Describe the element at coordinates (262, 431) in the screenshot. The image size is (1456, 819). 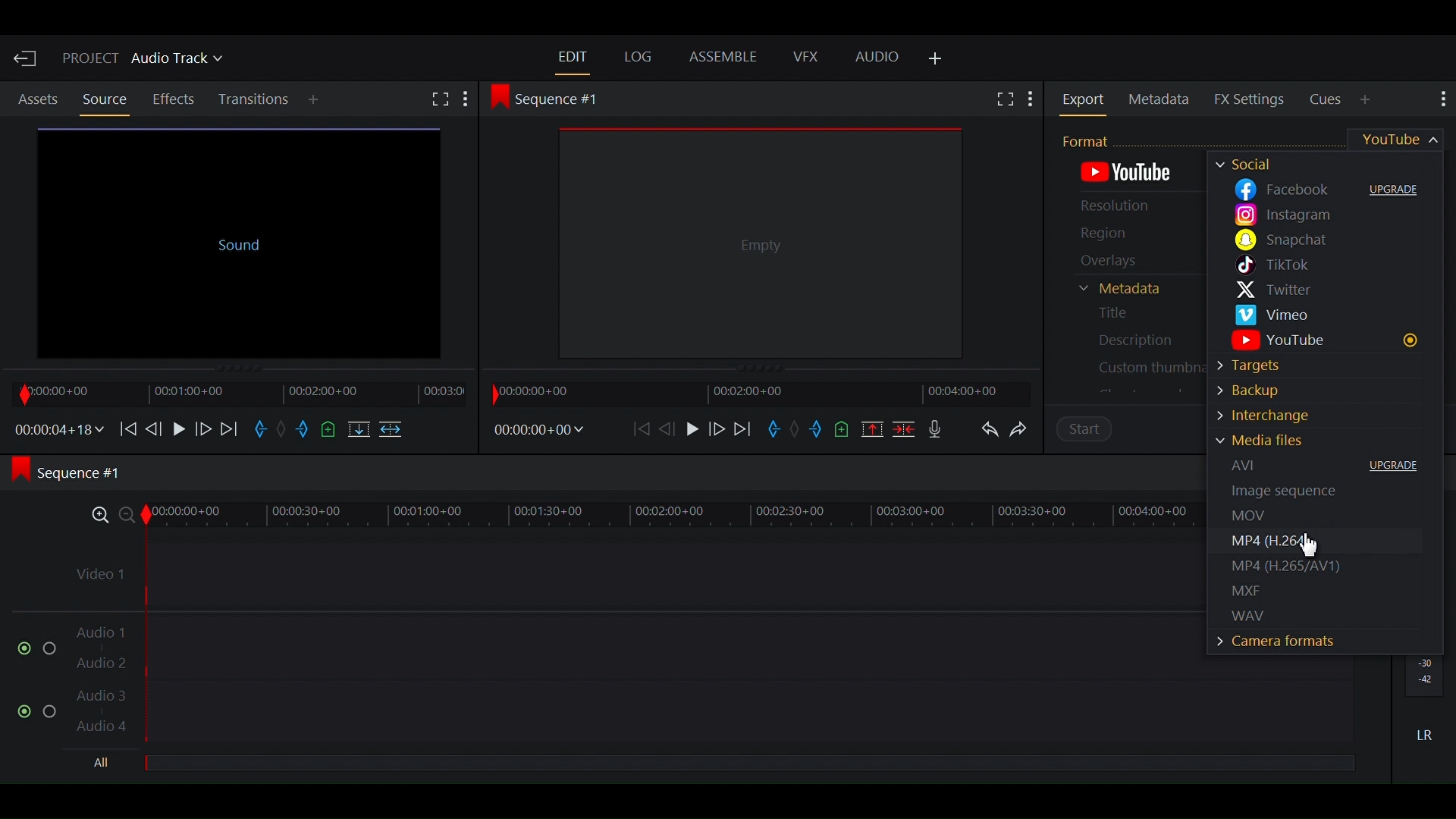
I see `Mark in` at that location.